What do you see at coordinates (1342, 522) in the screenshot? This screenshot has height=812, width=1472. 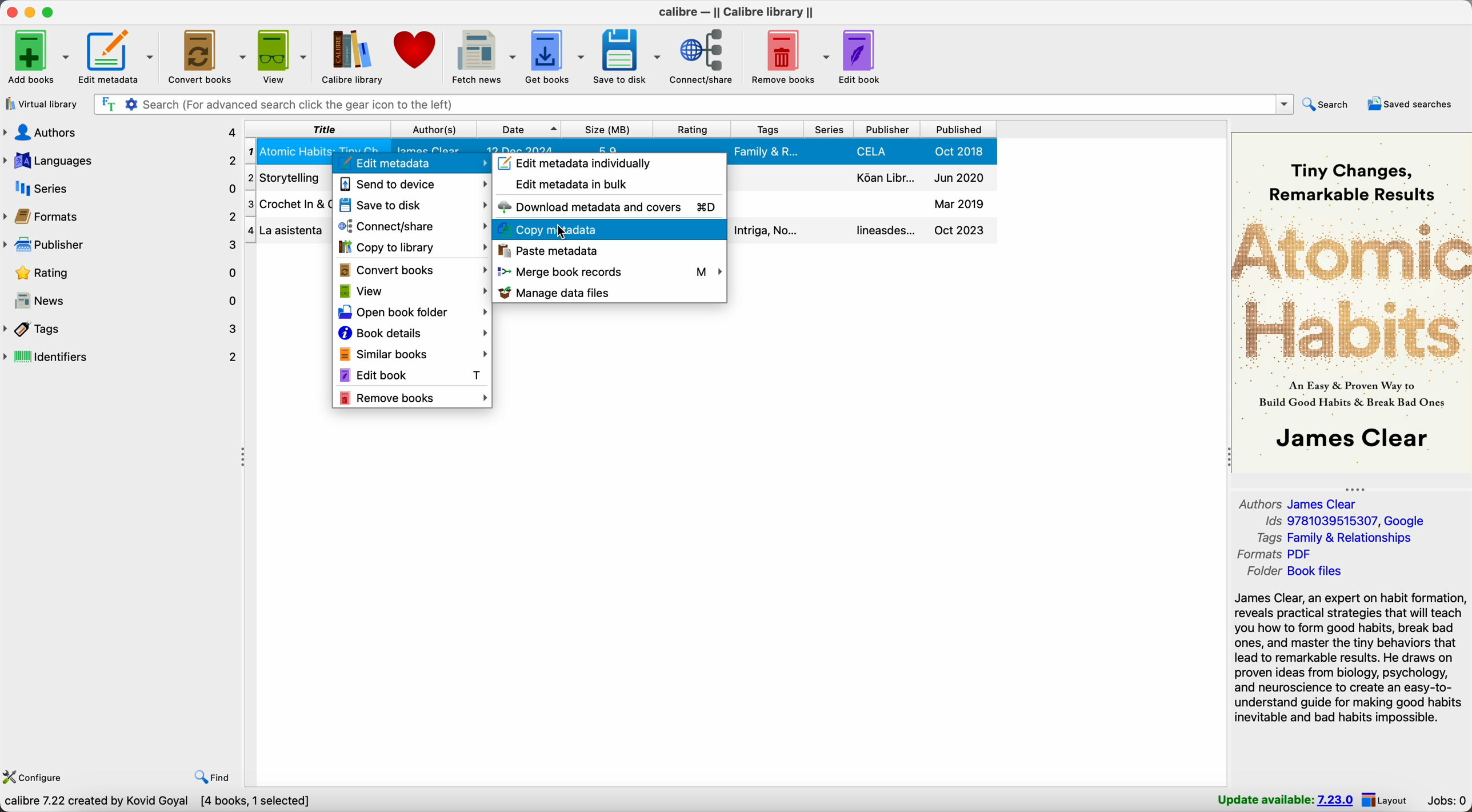 I see `Ids` at bounding box center [1342, 522].